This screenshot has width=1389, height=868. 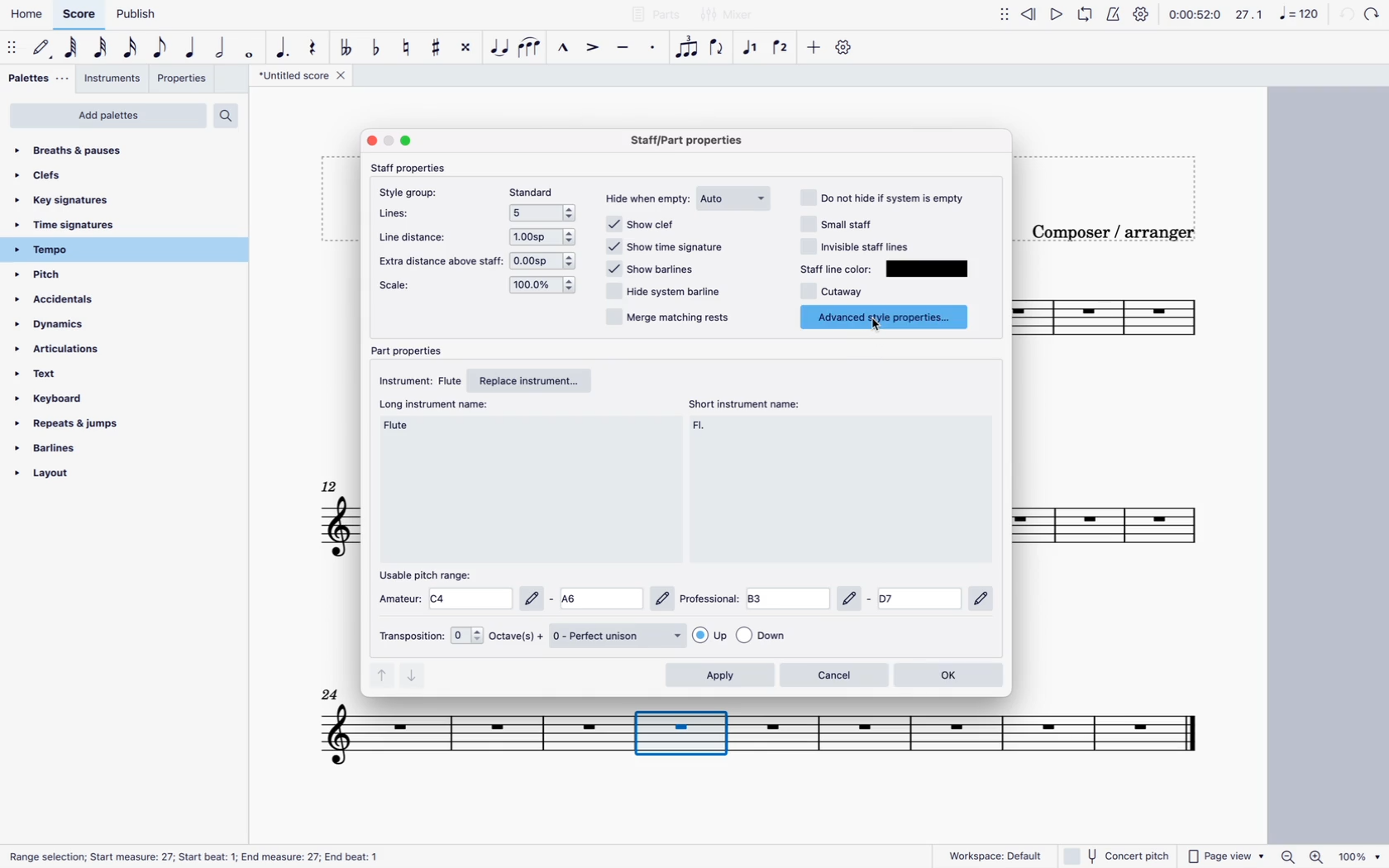 I want to click on , so click(x=746, y=732).